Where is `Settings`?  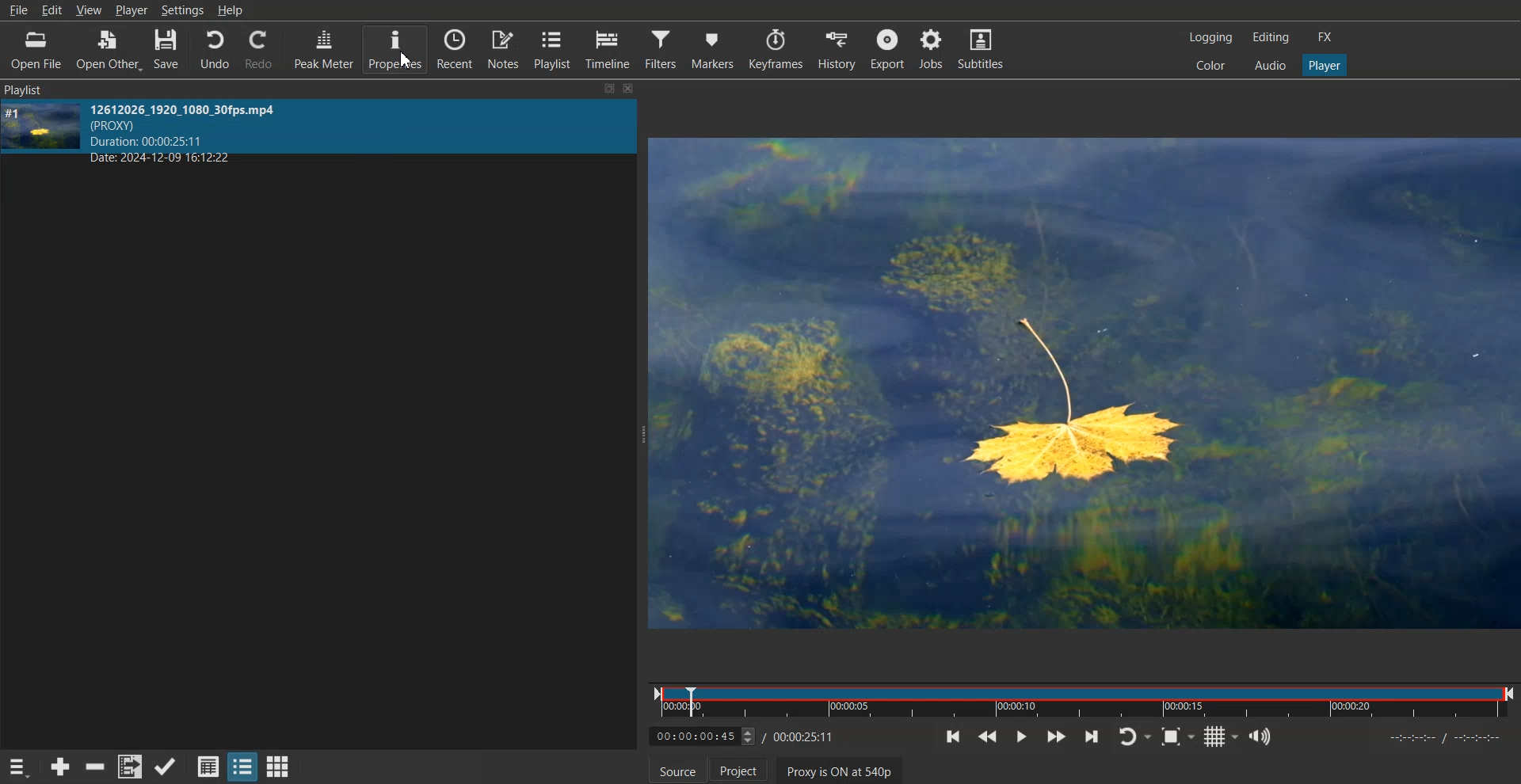 Settings is located at coordinates (182, 10).